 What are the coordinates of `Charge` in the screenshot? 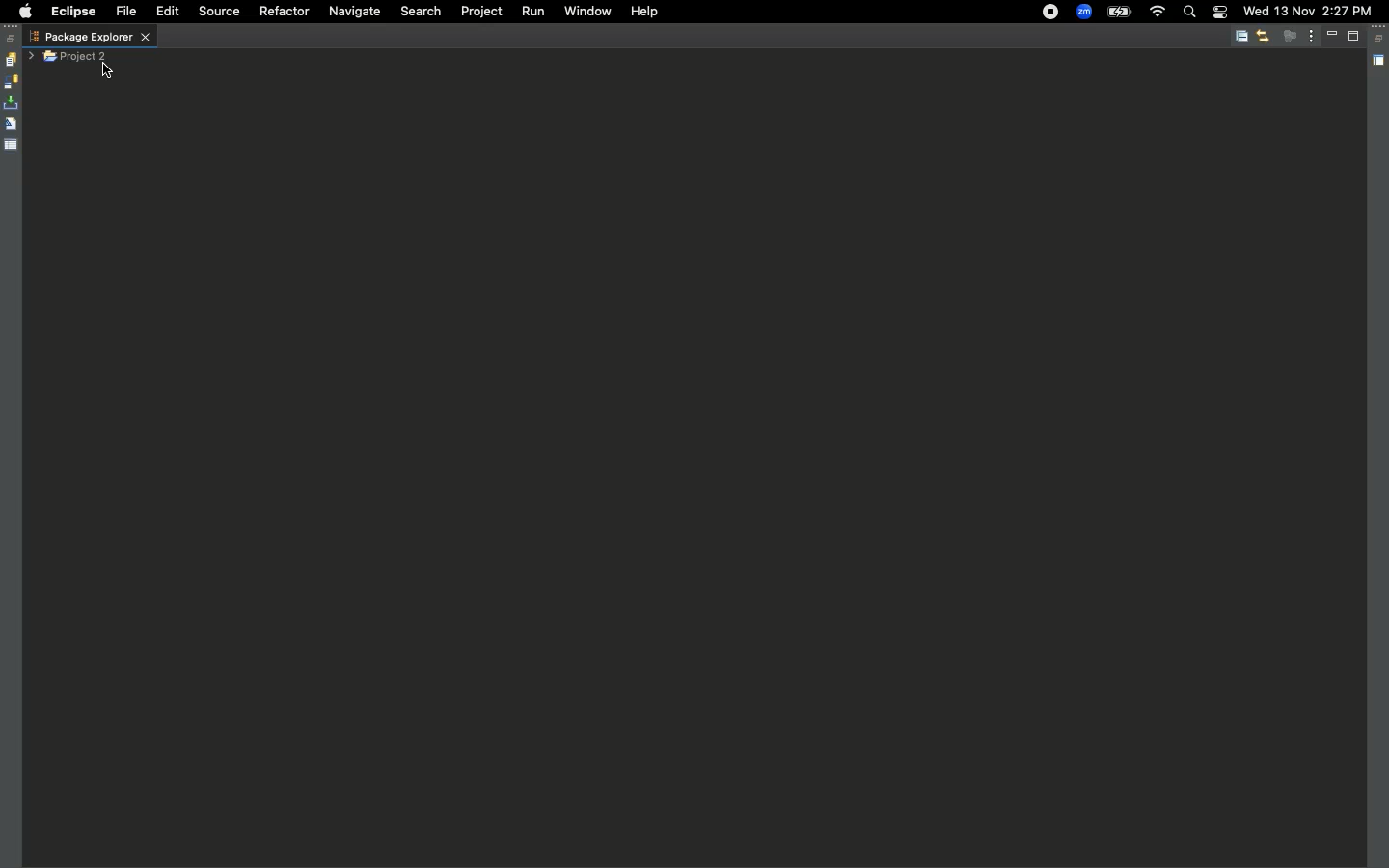 It's located at (1118, 14).